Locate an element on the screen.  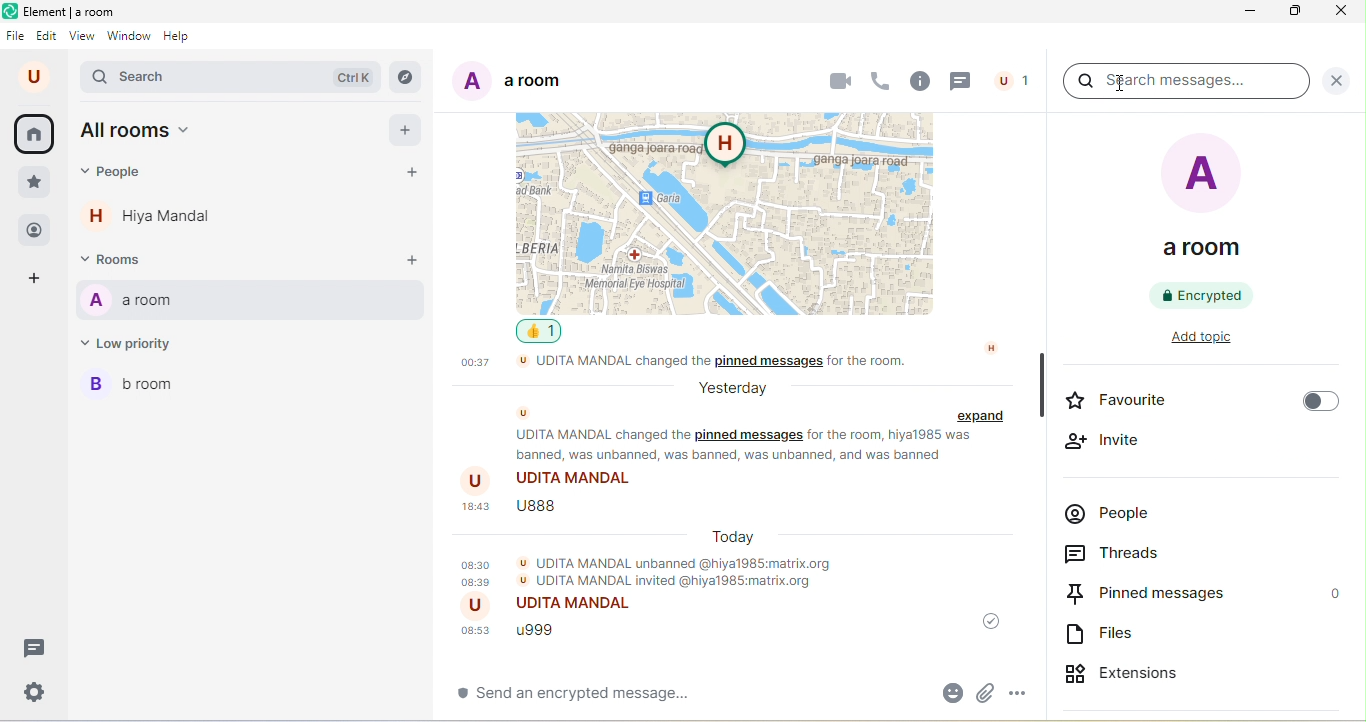
b room is located at coordinates (140, 389).